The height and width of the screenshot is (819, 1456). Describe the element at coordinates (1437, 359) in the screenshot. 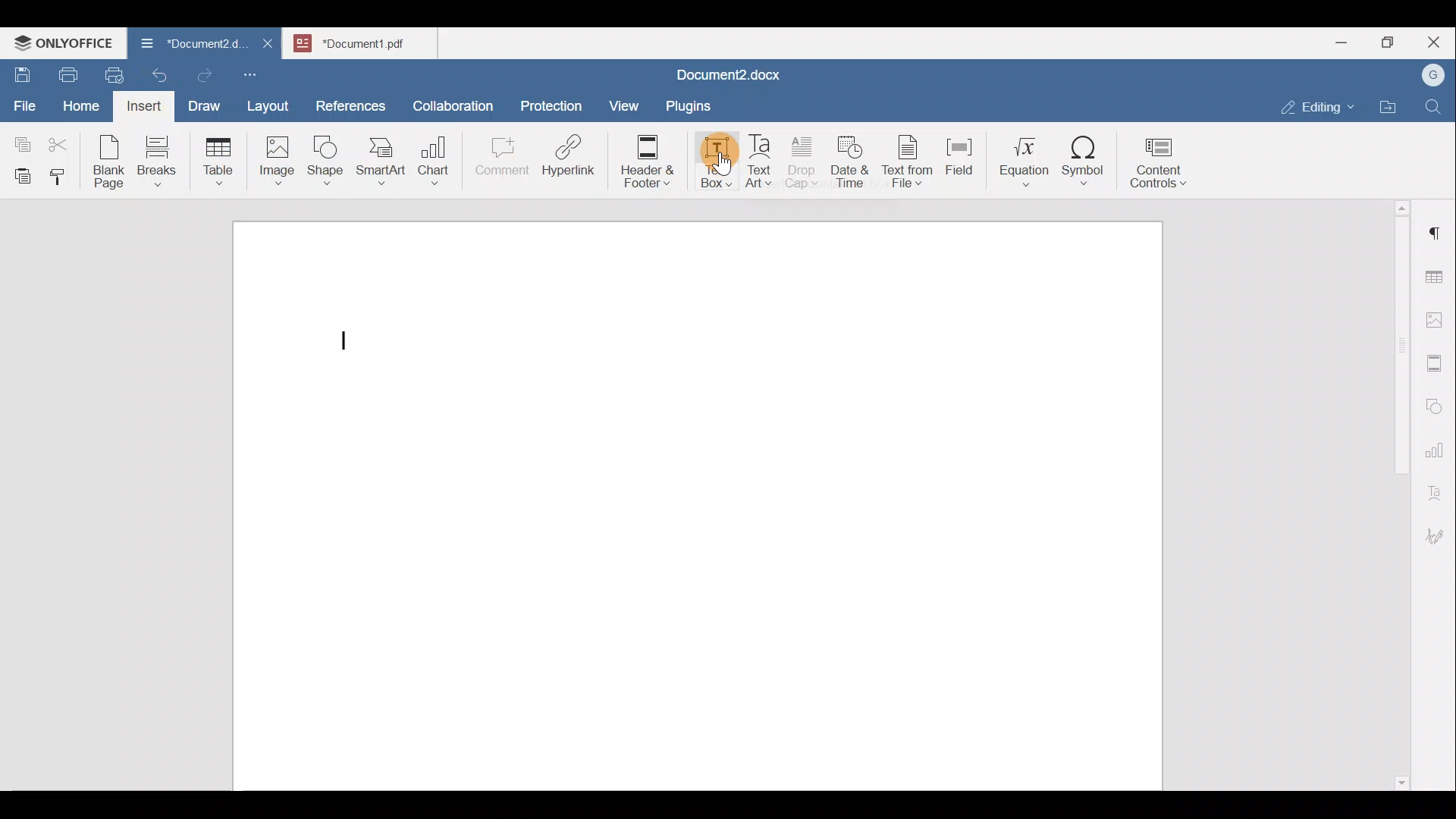

I see `Headers & footers` at that location.